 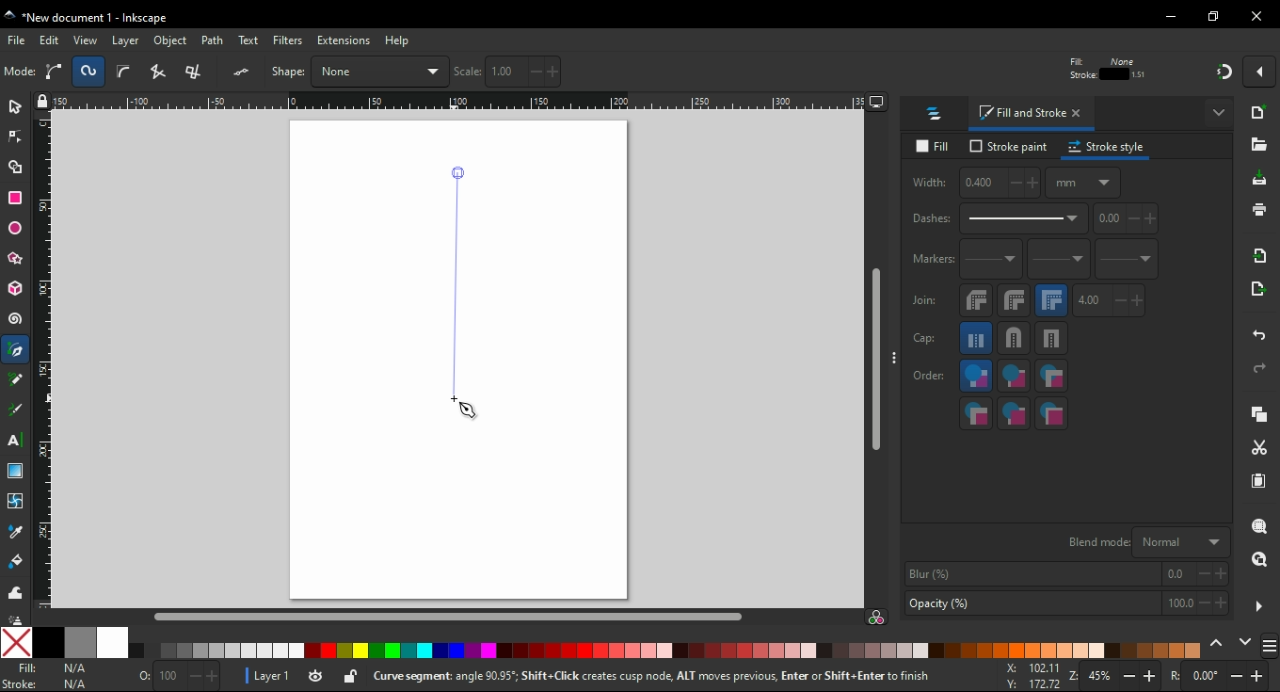 What do you see at coordinates (1051, 376) in the screenshot?
I see `fill,markers,strokes` at bounding box center [1051, 376].